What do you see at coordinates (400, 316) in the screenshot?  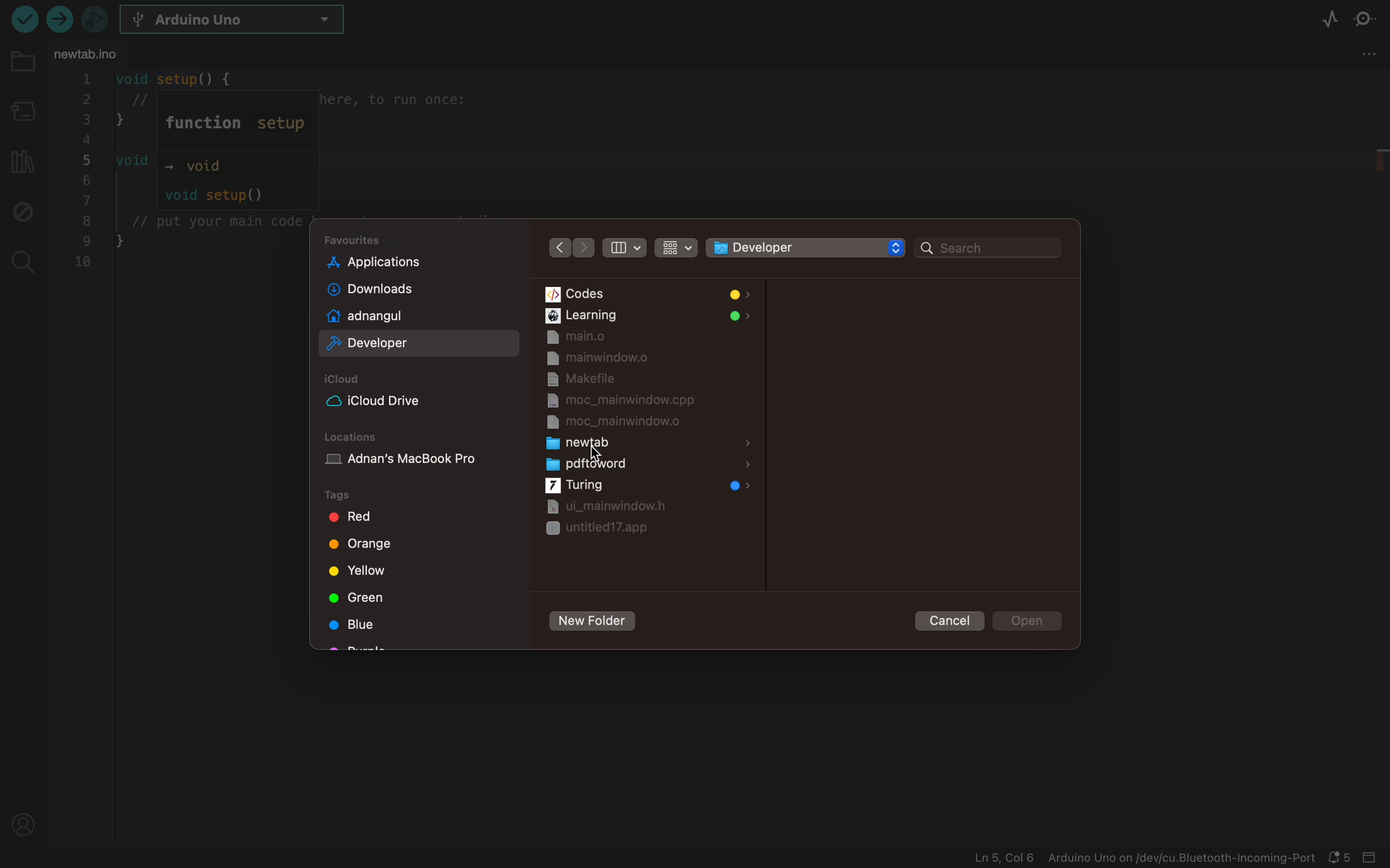 I see `adnan` at bounding box center [400, 316].